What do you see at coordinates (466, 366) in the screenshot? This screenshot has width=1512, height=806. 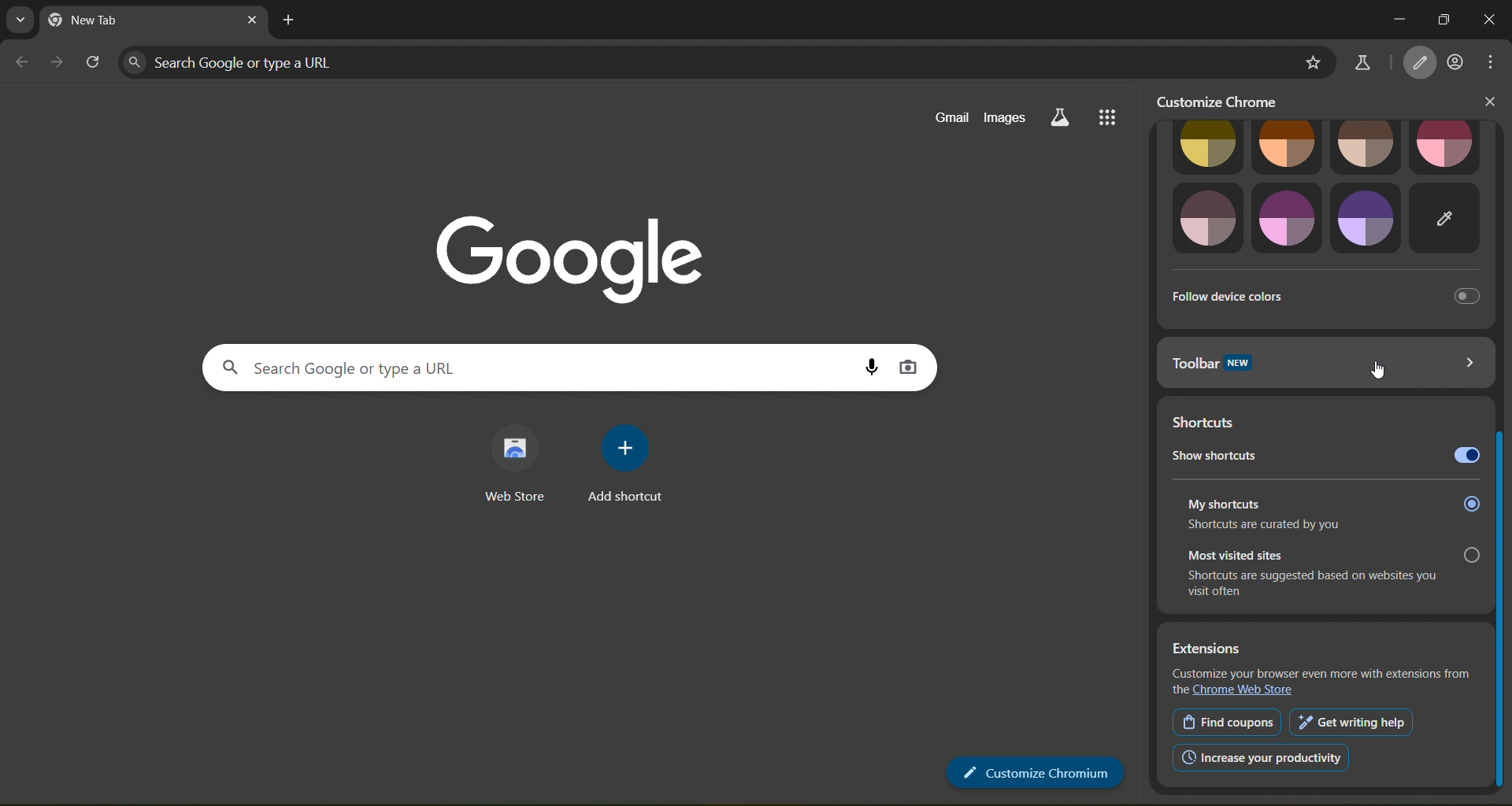 I see `search panel` at bounding box center [466, 366].